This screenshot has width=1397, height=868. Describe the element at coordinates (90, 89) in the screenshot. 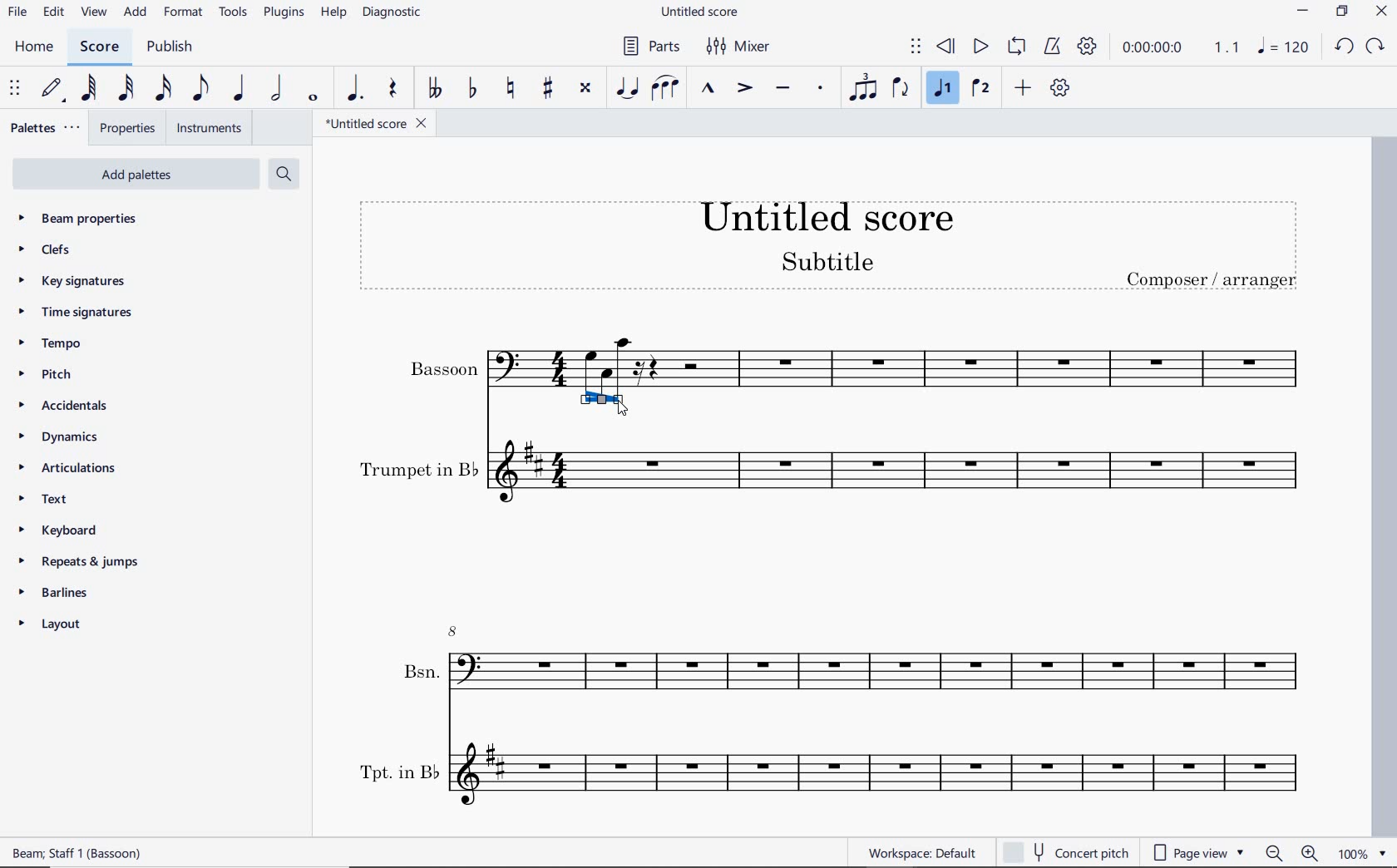

I see `64th note` at that location.